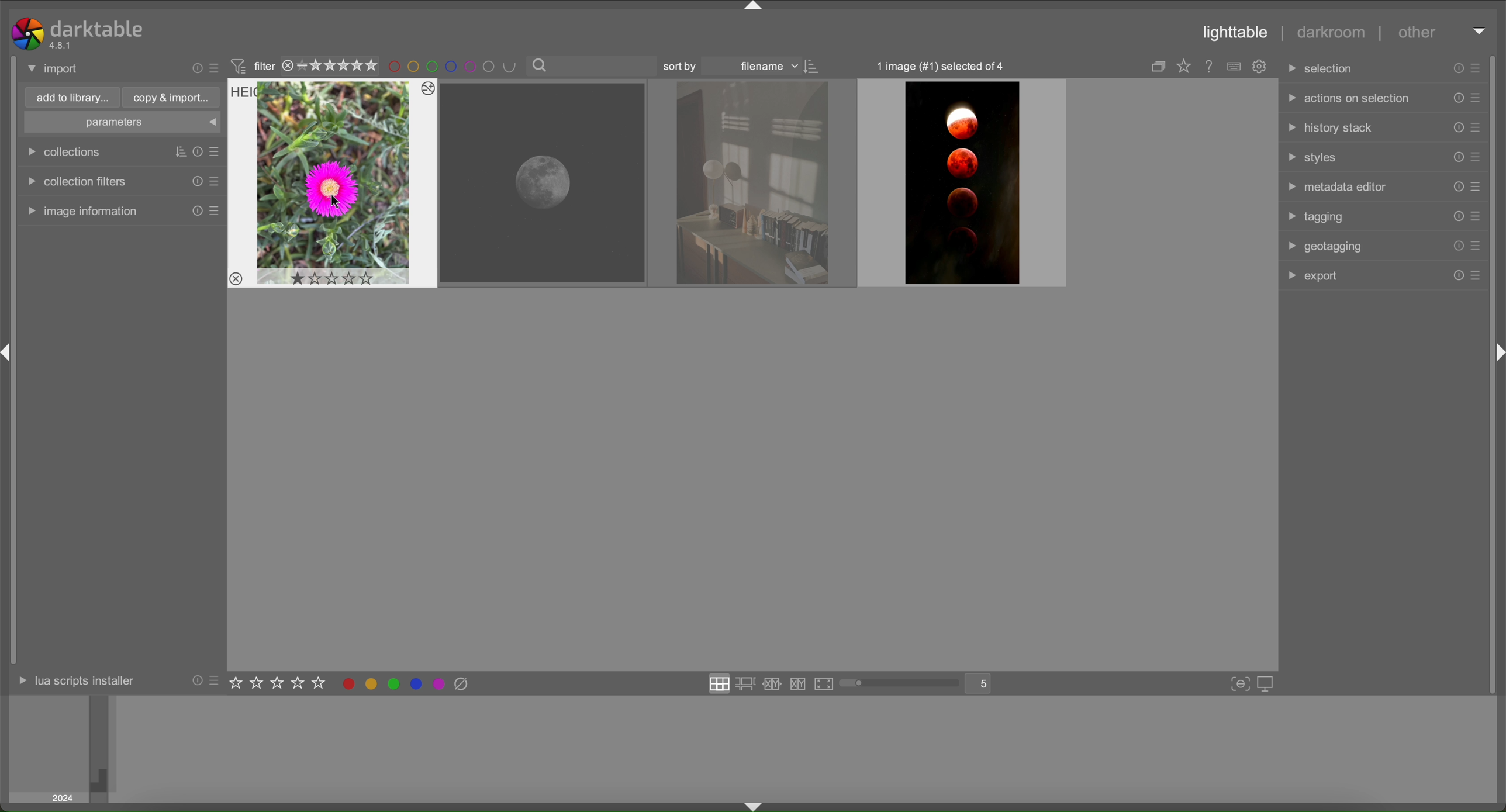  I want to click on presets, so click(1476, 275).